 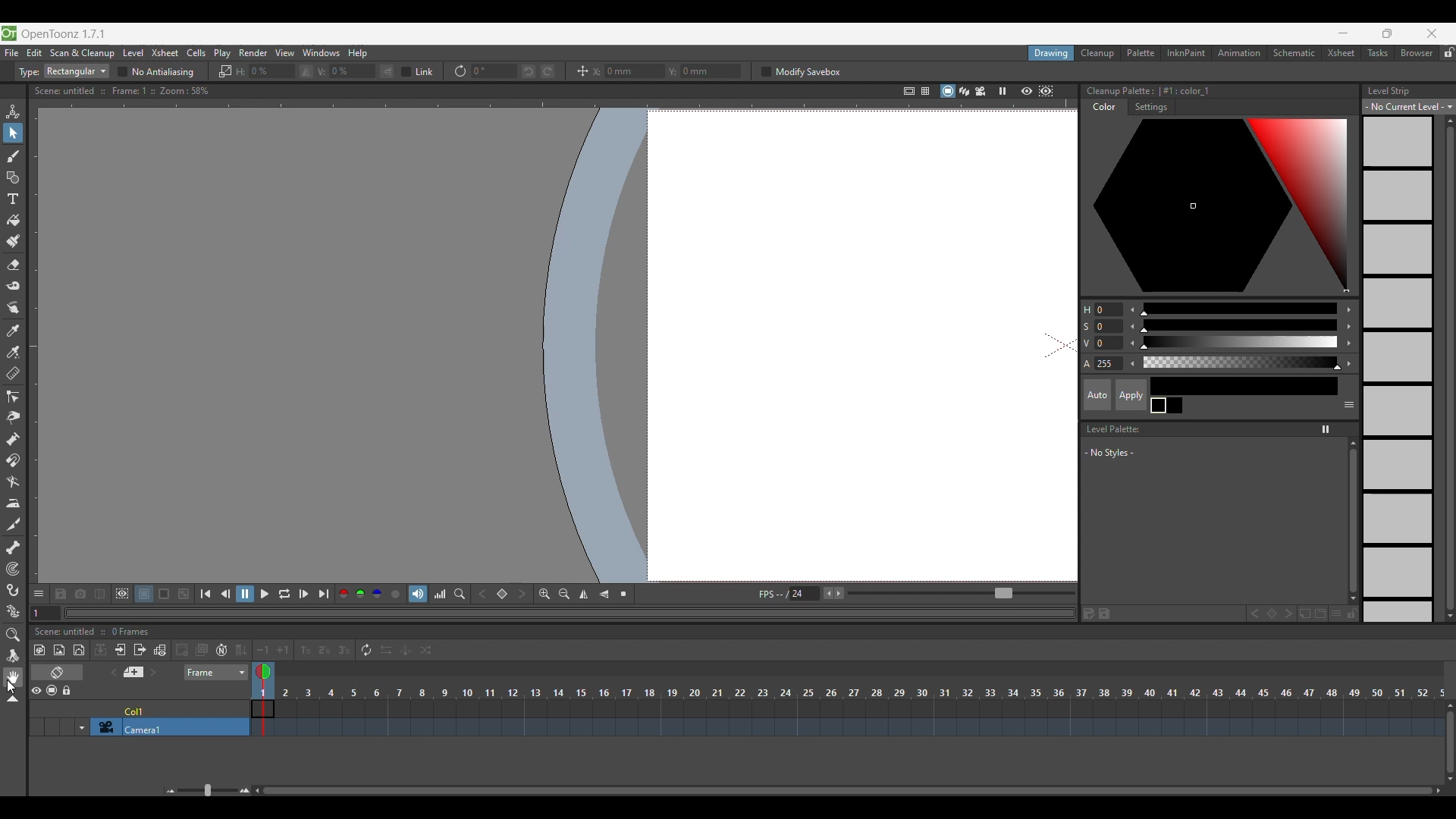 I want to click on Open sub Xsheet, so click(x=120, y=650).